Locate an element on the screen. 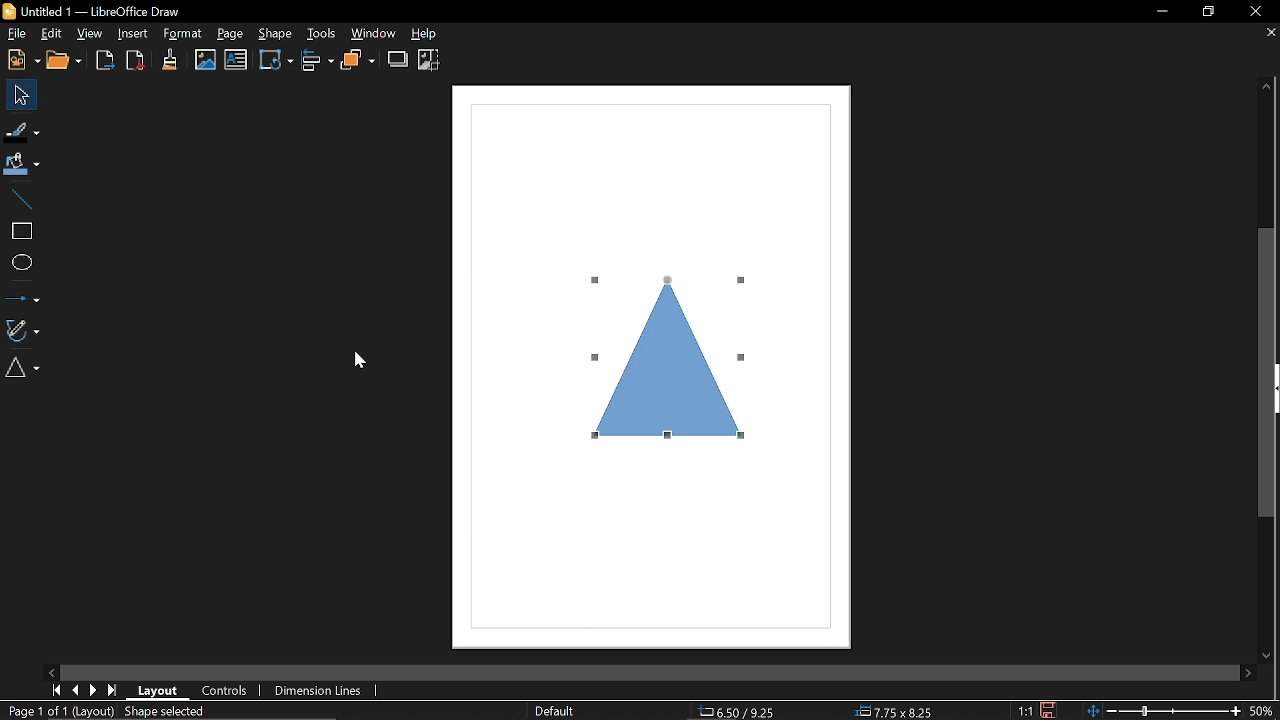 The width and height of the screenshot is (1280, 720). POsition is located at coordinates (747, 710).